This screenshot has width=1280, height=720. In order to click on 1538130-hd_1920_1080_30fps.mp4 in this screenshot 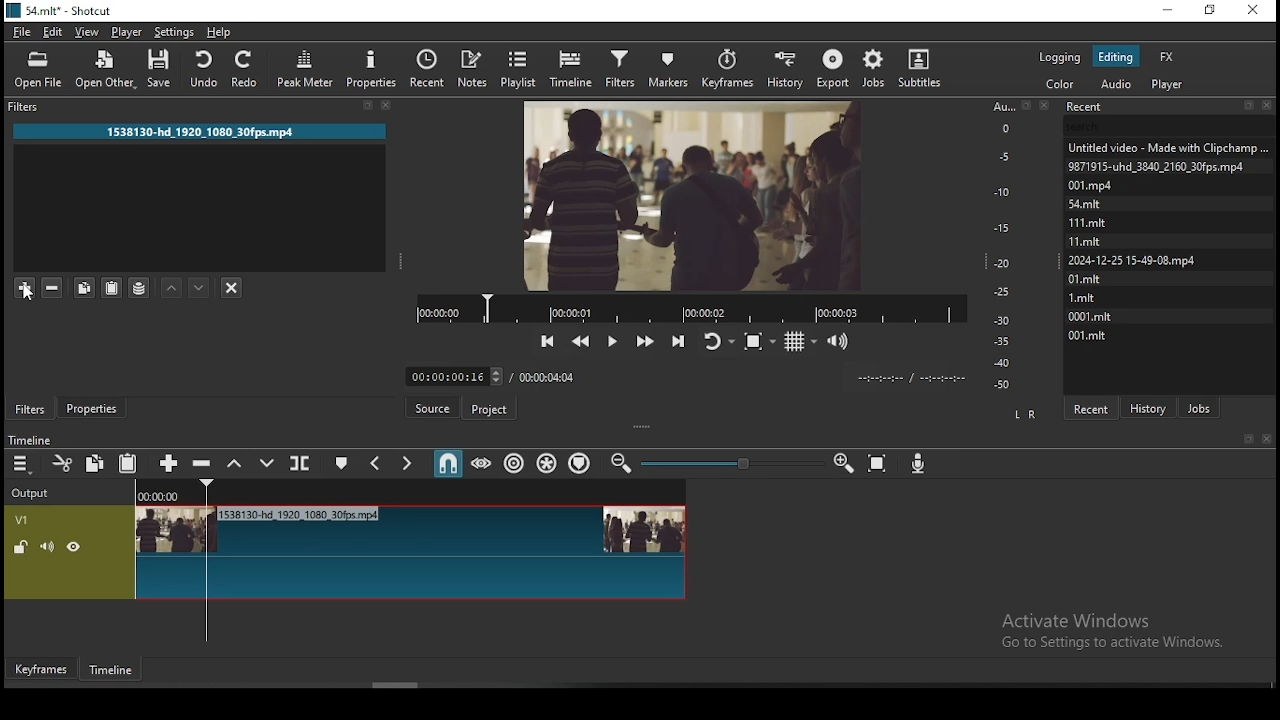, I will do `click(201, 131)`.